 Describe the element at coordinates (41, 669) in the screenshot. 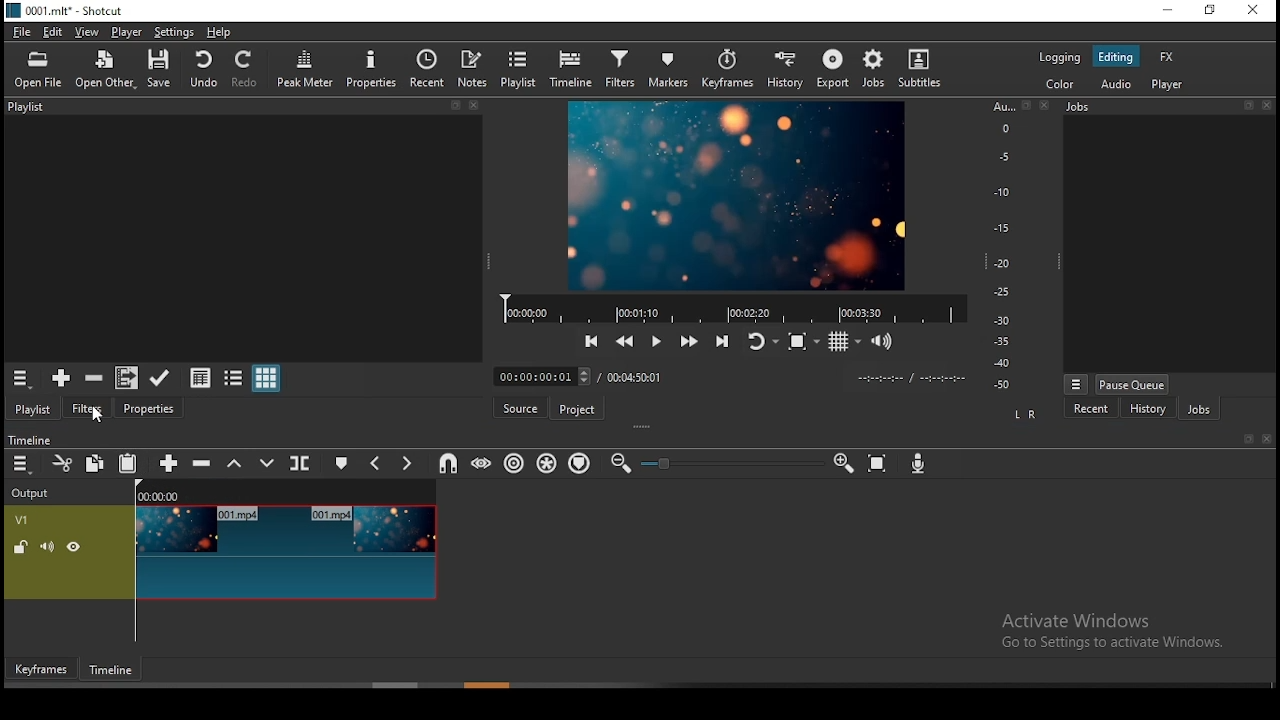

I see `keyframes` at that location.